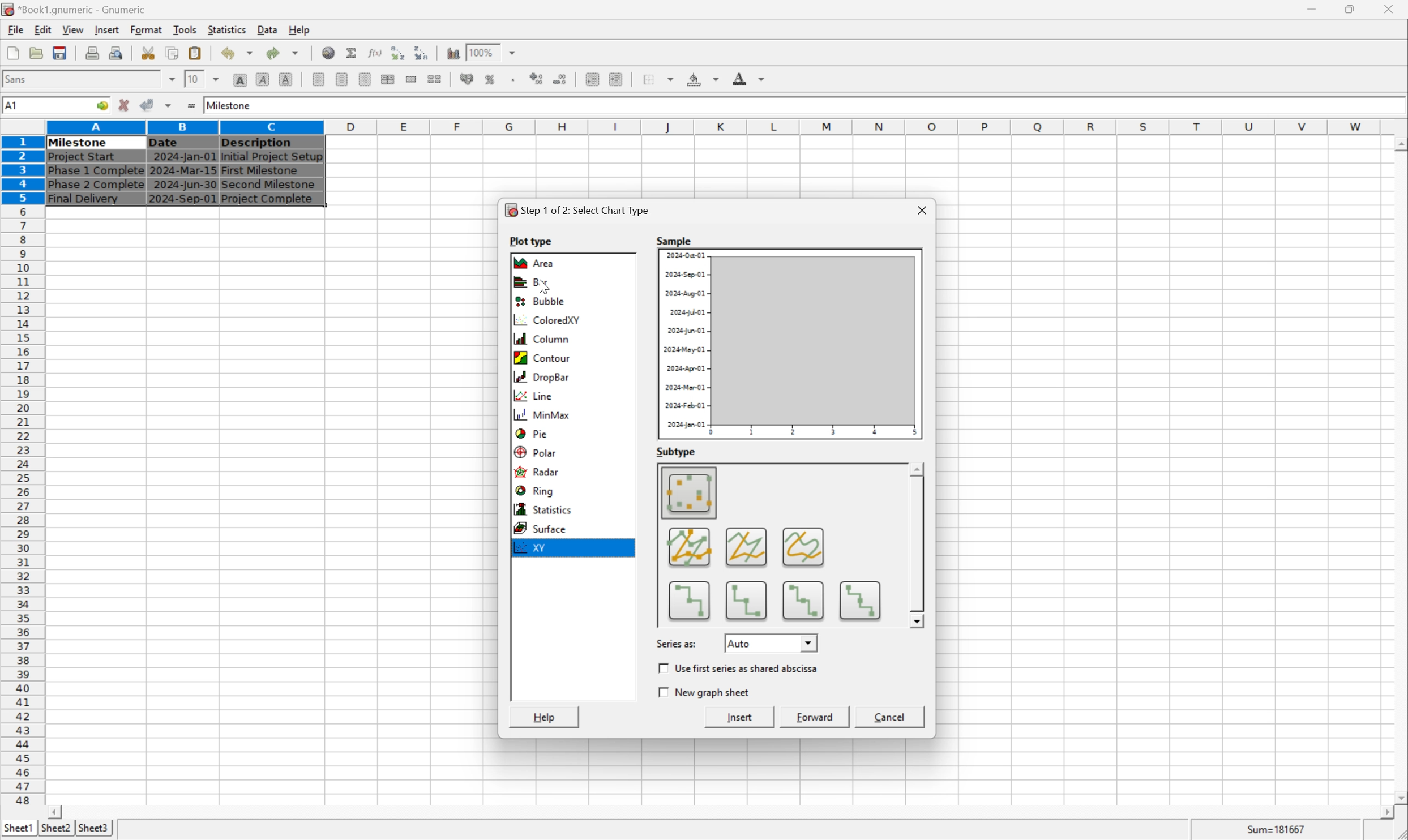  Describe the element at coordinates (263, 79) in the screenshot. I see `italic` at that location.